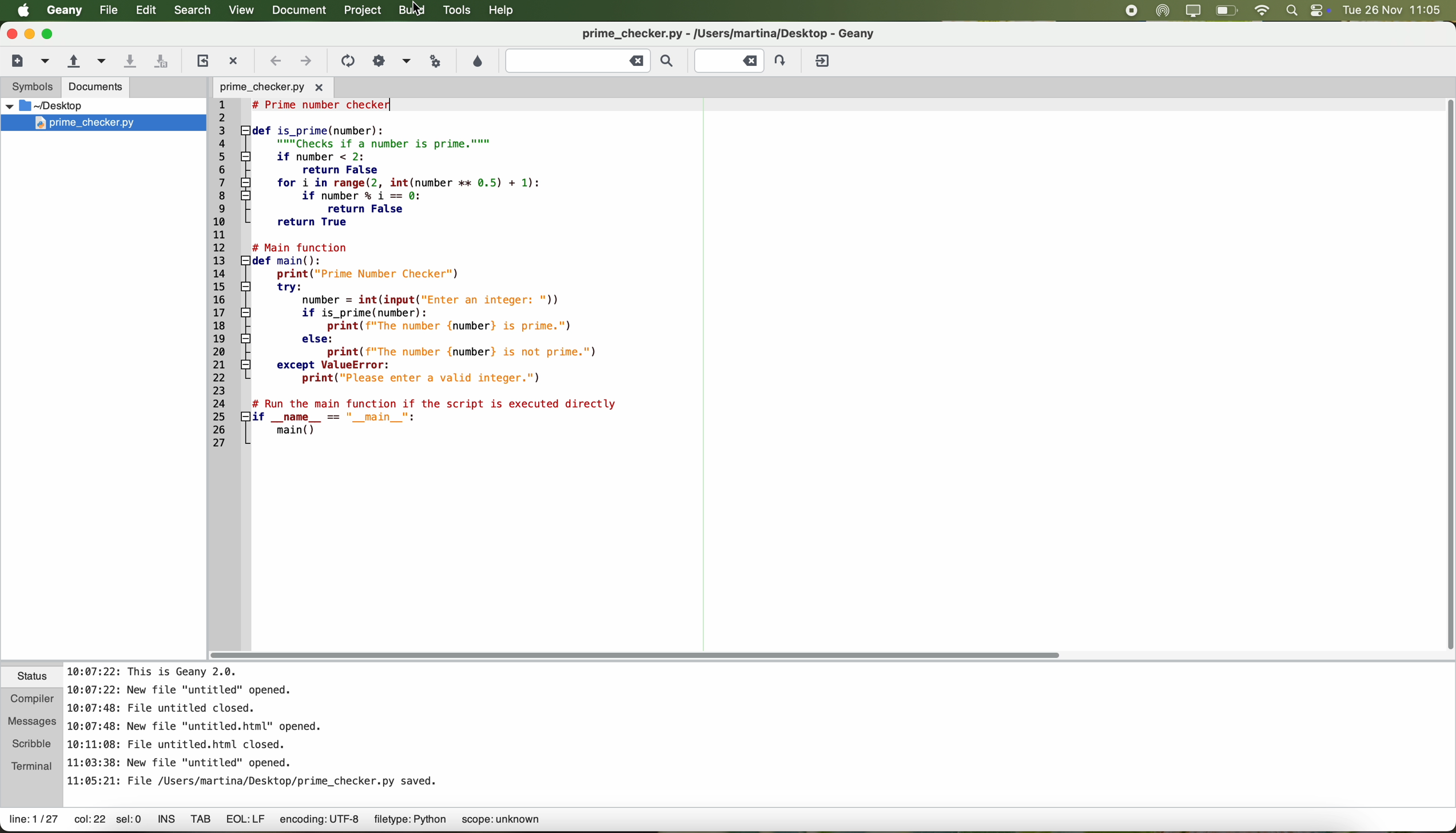  Describe the element at coordinates (377, 59) in the screenshot. I see `icon` at that location.